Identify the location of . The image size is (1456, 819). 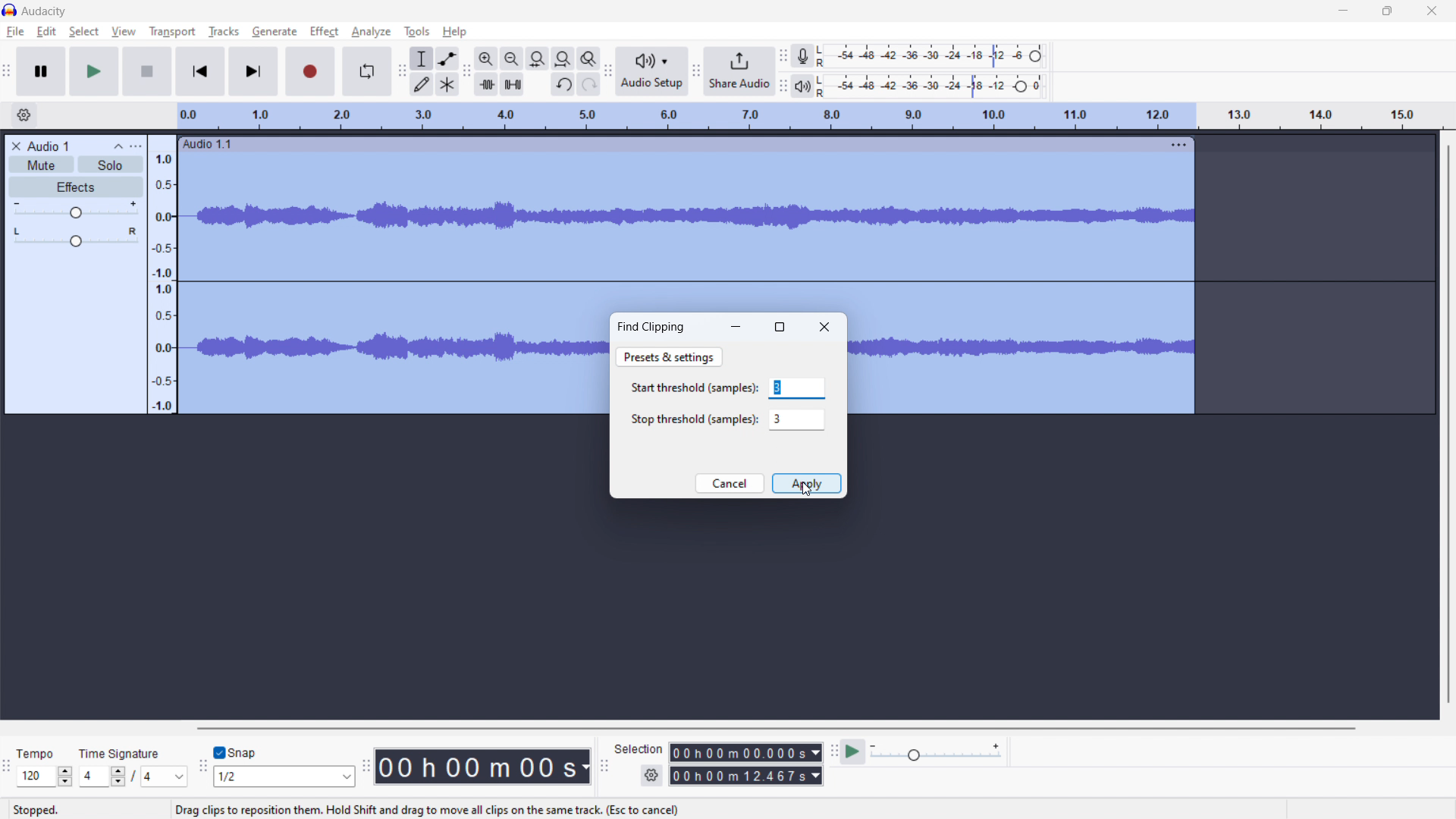
(400, 71).